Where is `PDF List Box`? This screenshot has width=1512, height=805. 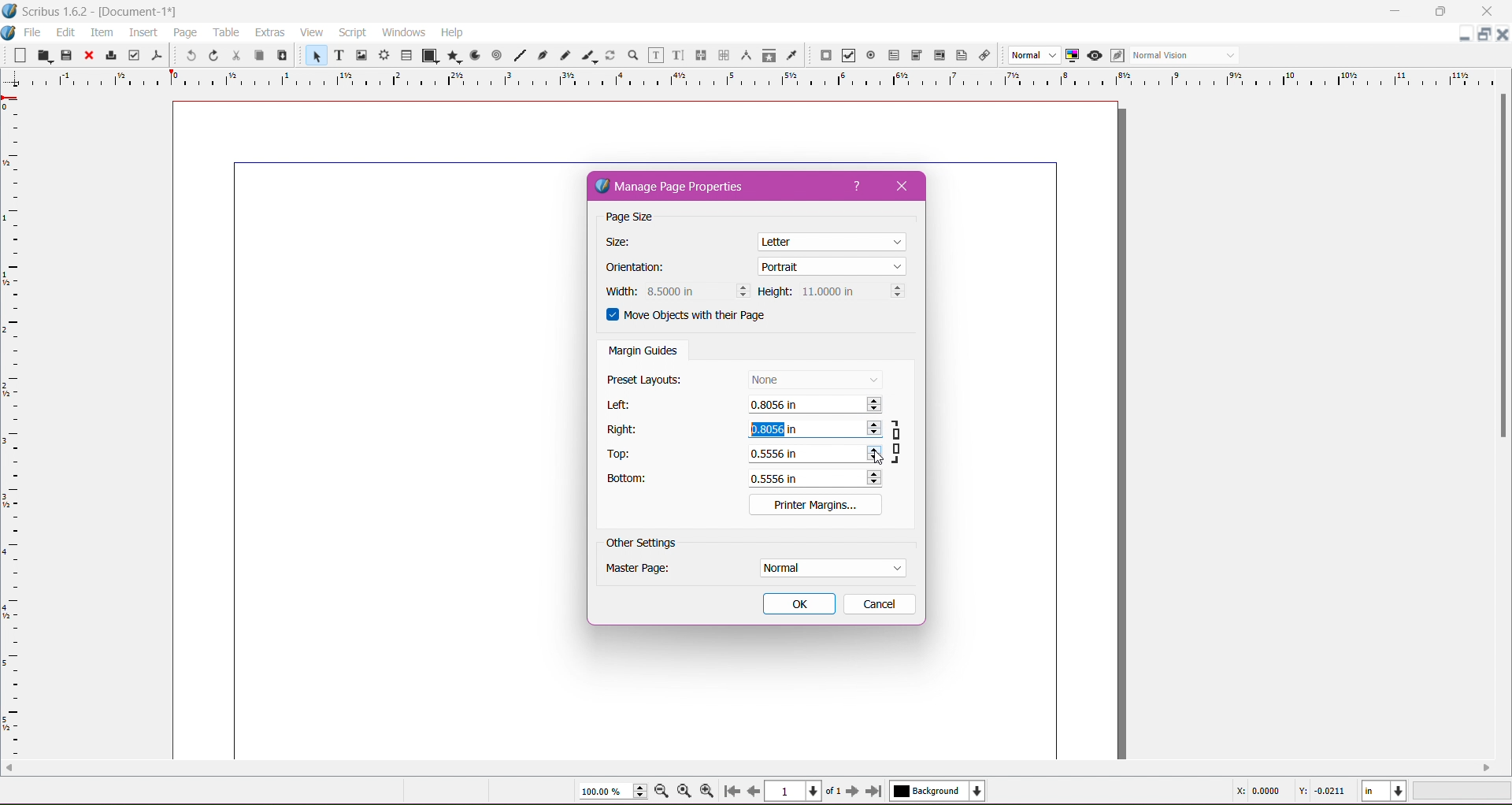
PDF List Box is located at coordinates (939, 55).